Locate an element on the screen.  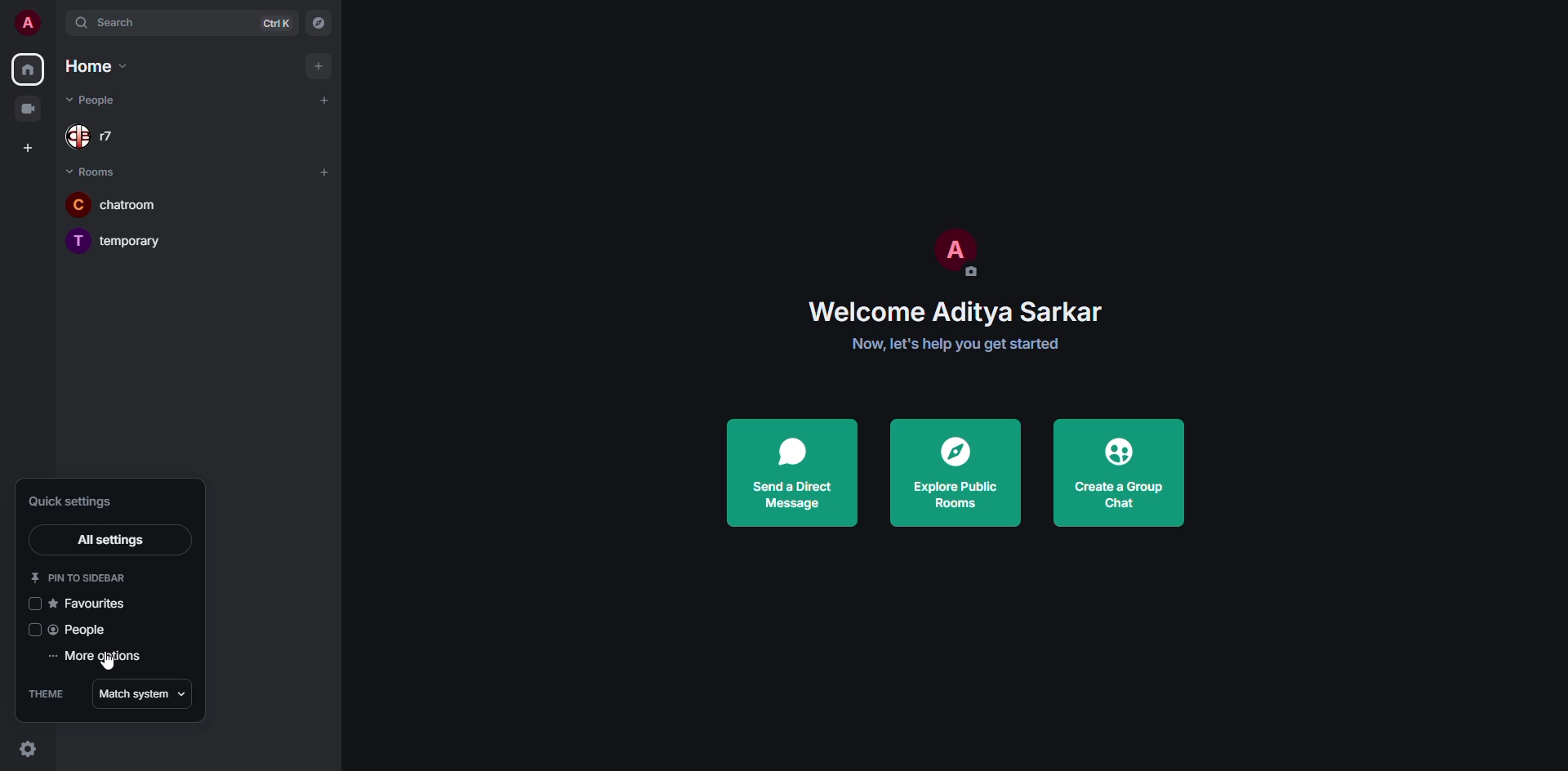
add is located at coordinates (323, 172).